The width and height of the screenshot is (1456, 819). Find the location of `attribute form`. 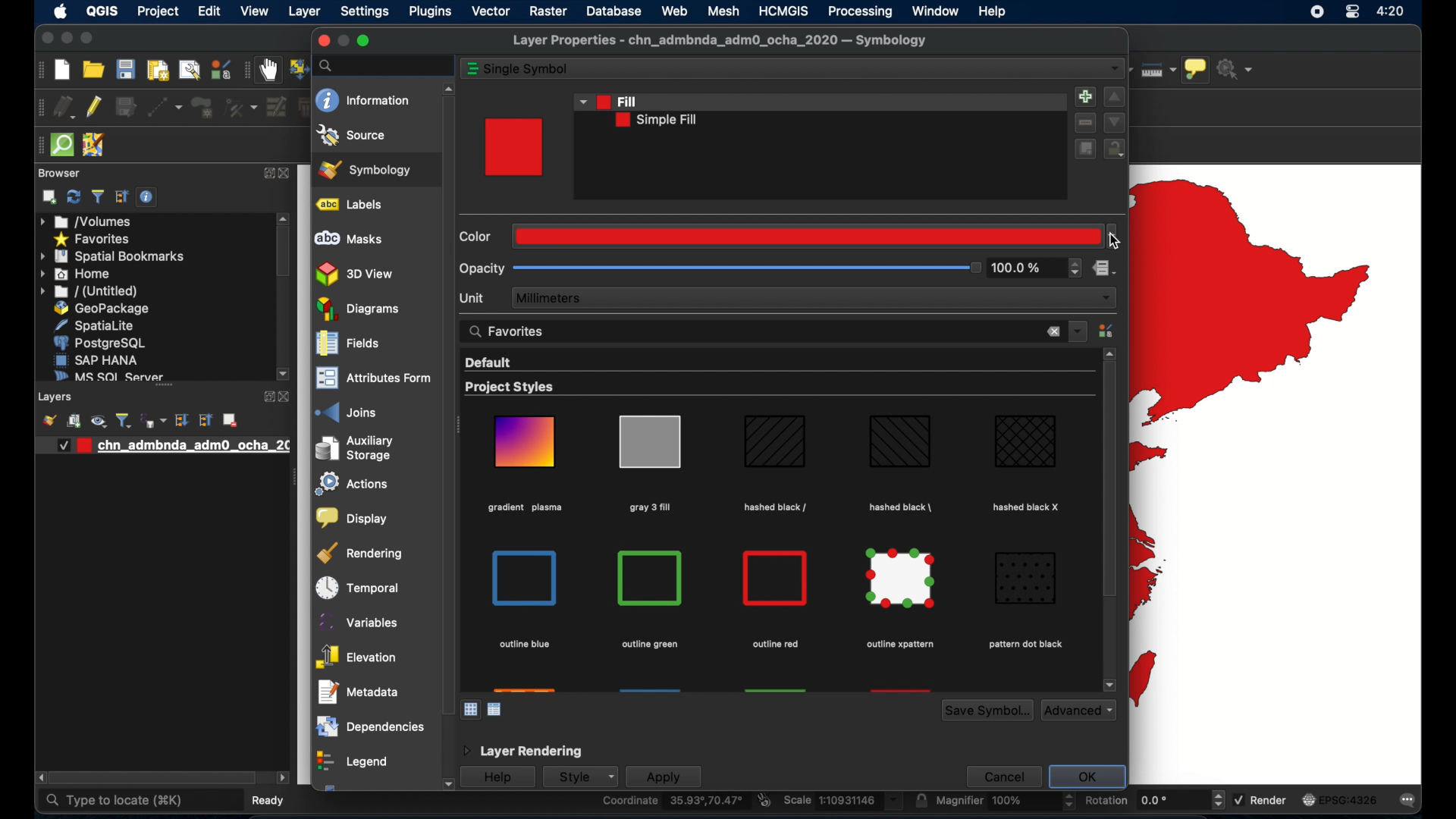

attribute form is located at coordinates (370, 379).